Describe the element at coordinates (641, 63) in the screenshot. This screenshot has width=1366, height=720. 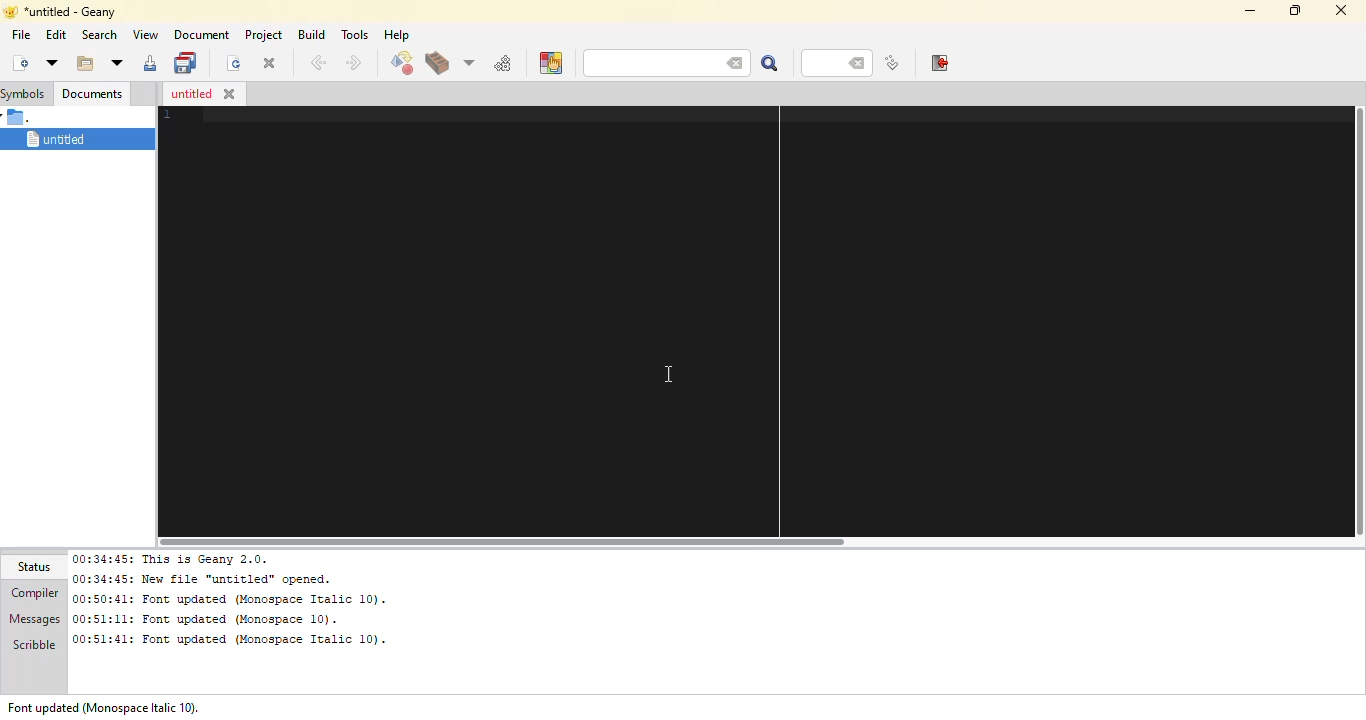
I see `search` at that location.